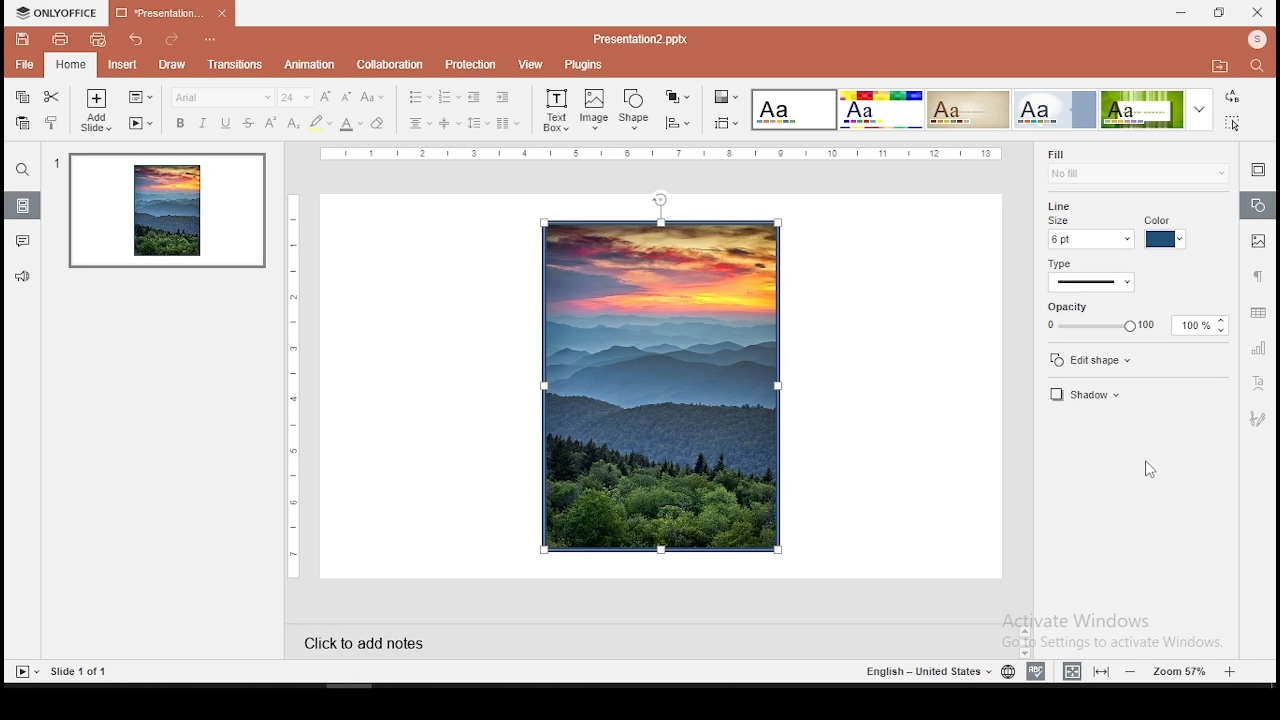  I want to click on zoom out, so click(1132, 670).